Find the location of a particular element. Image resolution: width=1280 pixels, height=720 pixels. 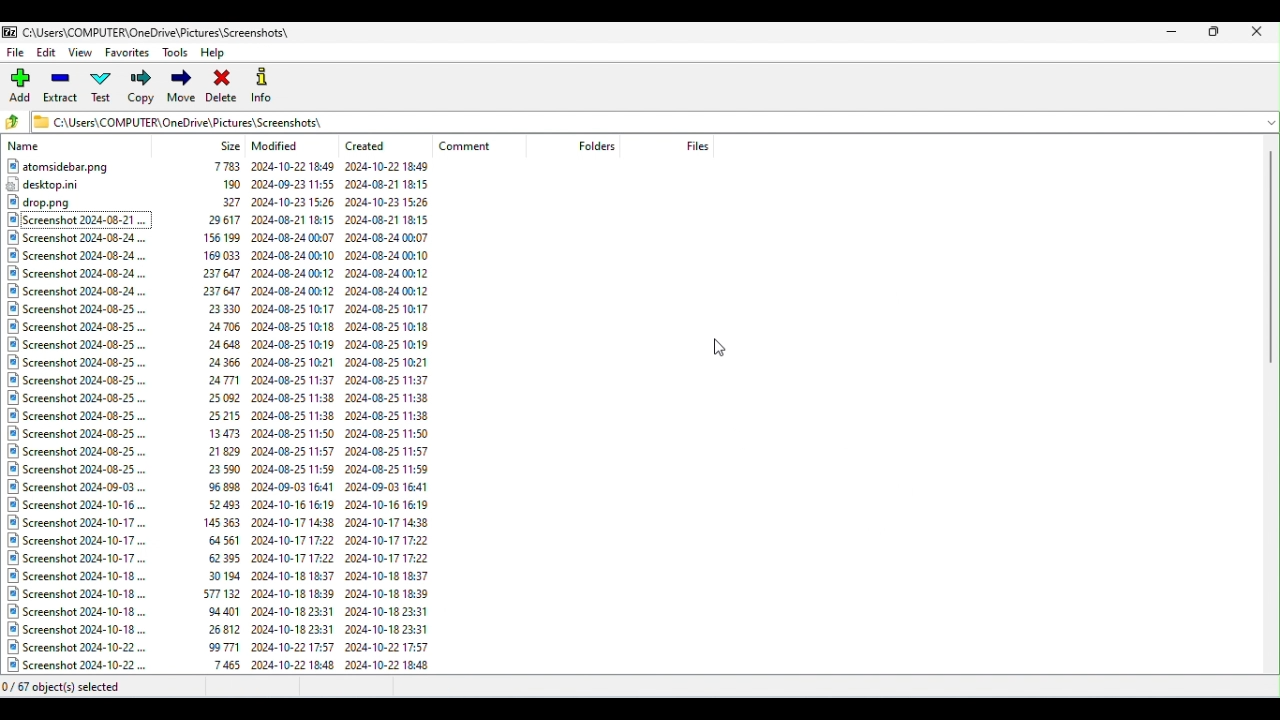

Move is located at coordinates (181, 88).